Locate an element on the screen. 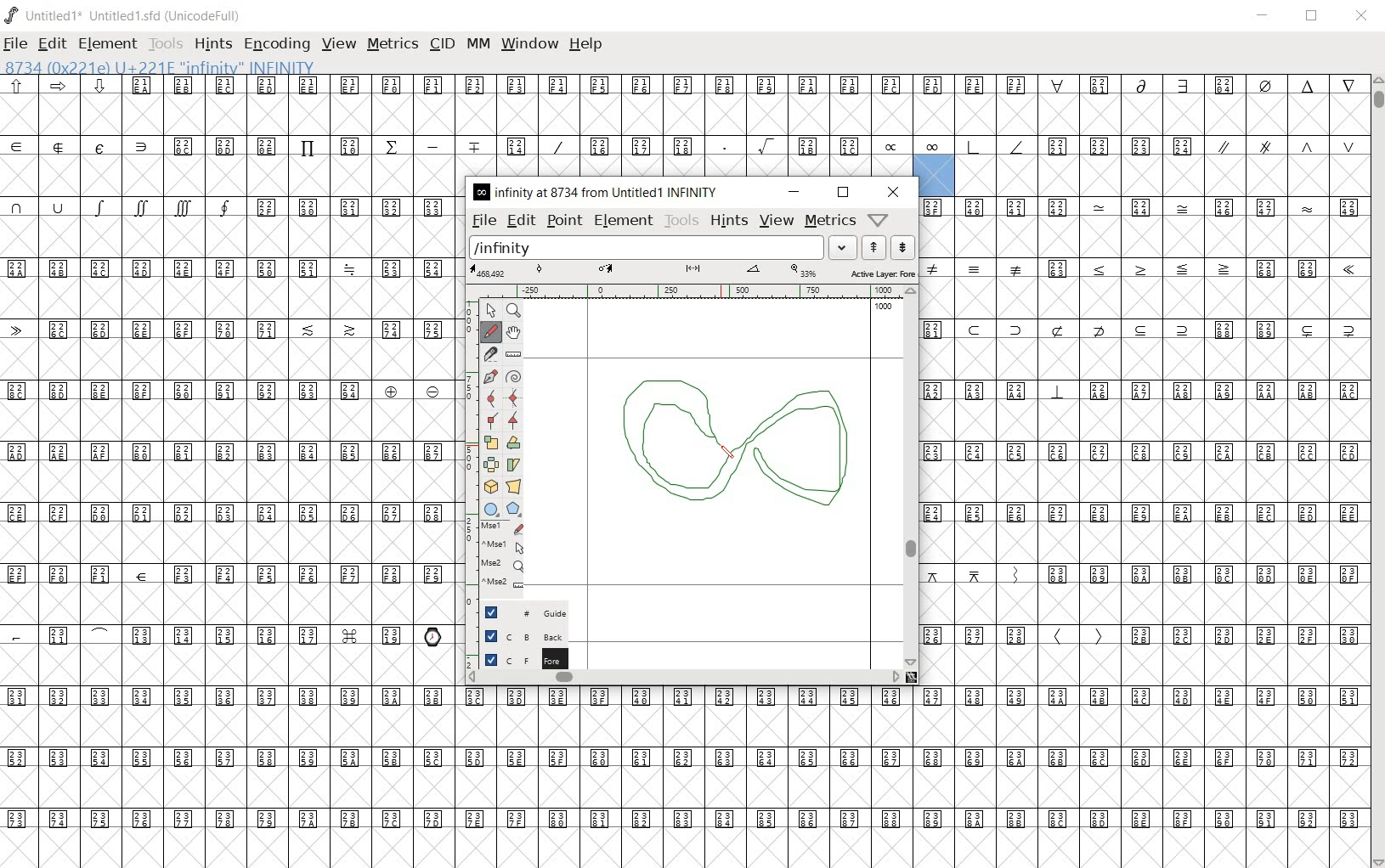 The width and height of the screenshot is (1385, 868). pen tool/CURSOR LOCATION is located at coordinates (721, 442).